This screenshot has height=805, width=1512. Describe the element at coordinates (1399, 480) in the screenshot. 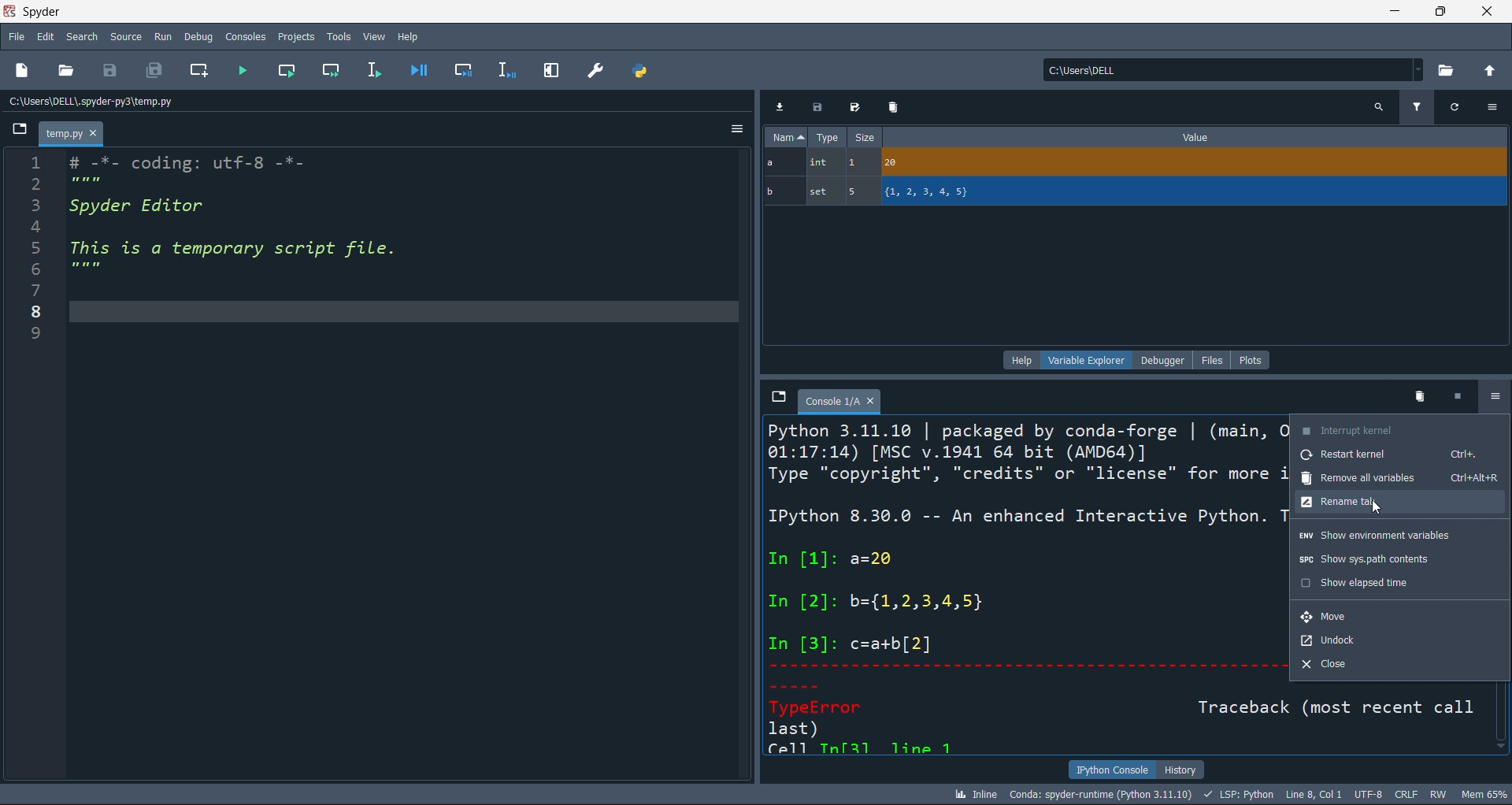

I see `remove all variables` at that location.